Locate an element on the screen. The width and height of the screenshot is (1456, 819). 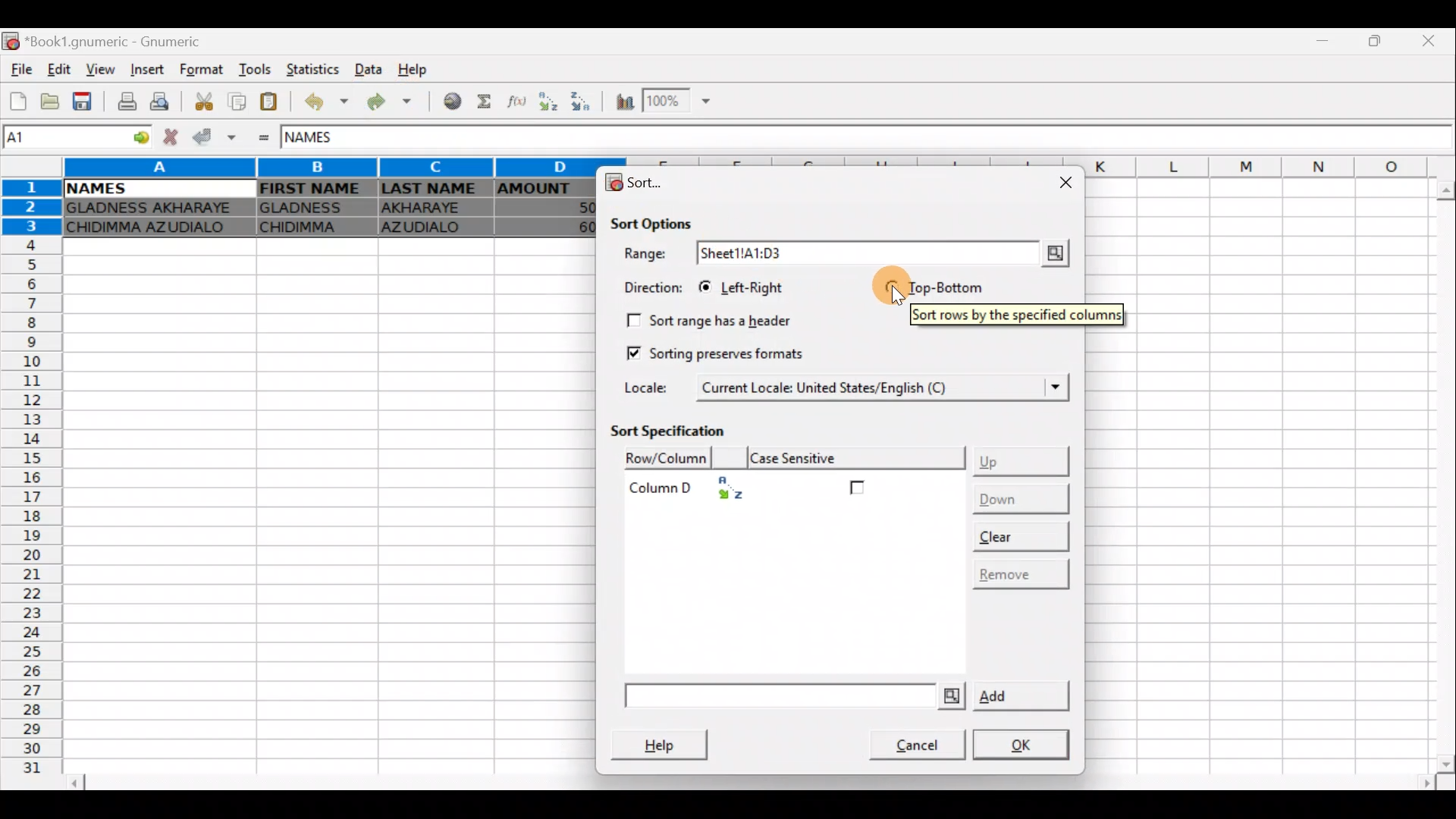
Row/Column is located at coordinates (660, 457).